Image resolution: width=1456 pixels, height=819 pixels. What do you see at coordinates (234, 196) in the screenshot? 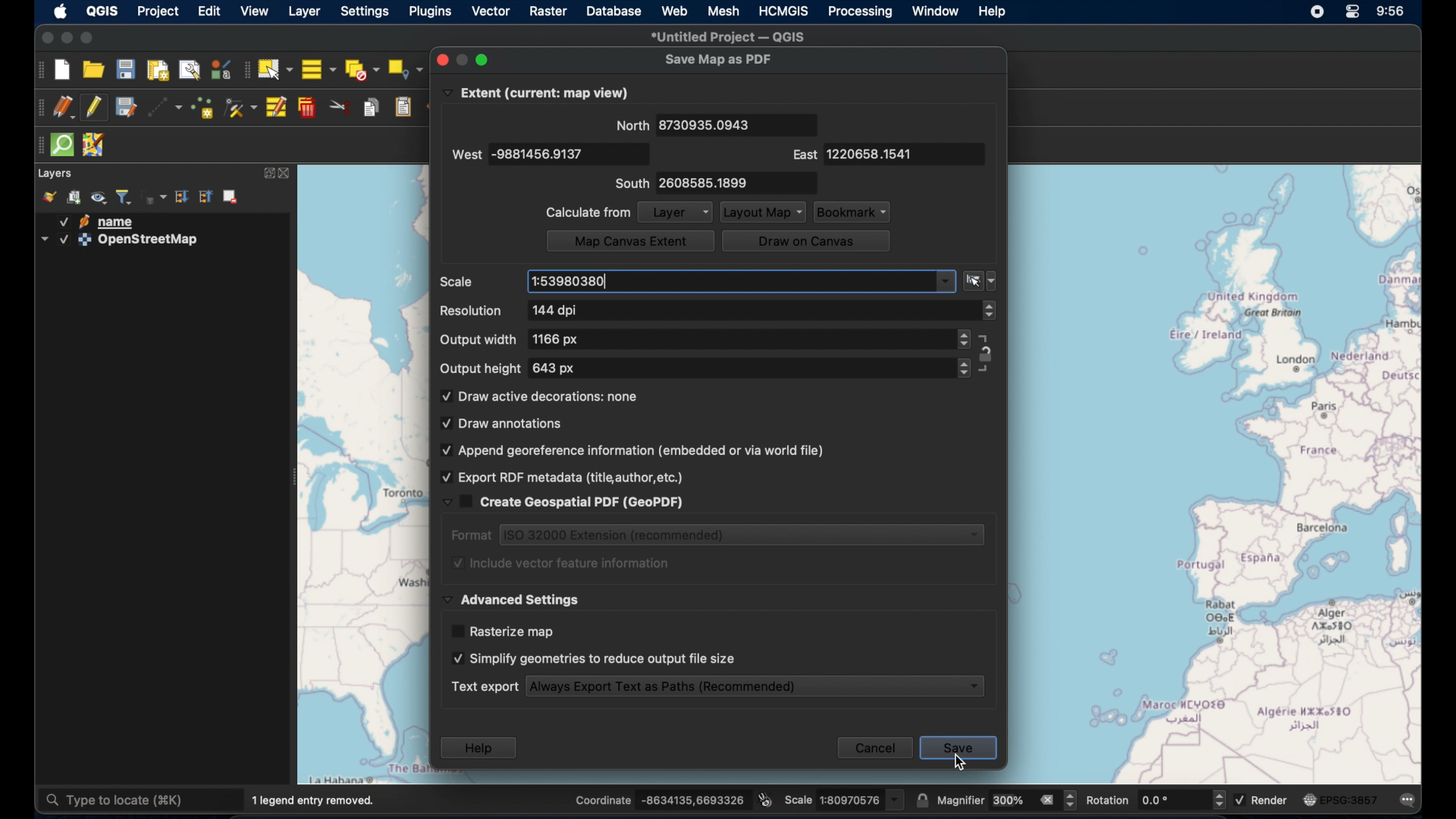
I see `remove layer/group` at bounding box center [234, 196].